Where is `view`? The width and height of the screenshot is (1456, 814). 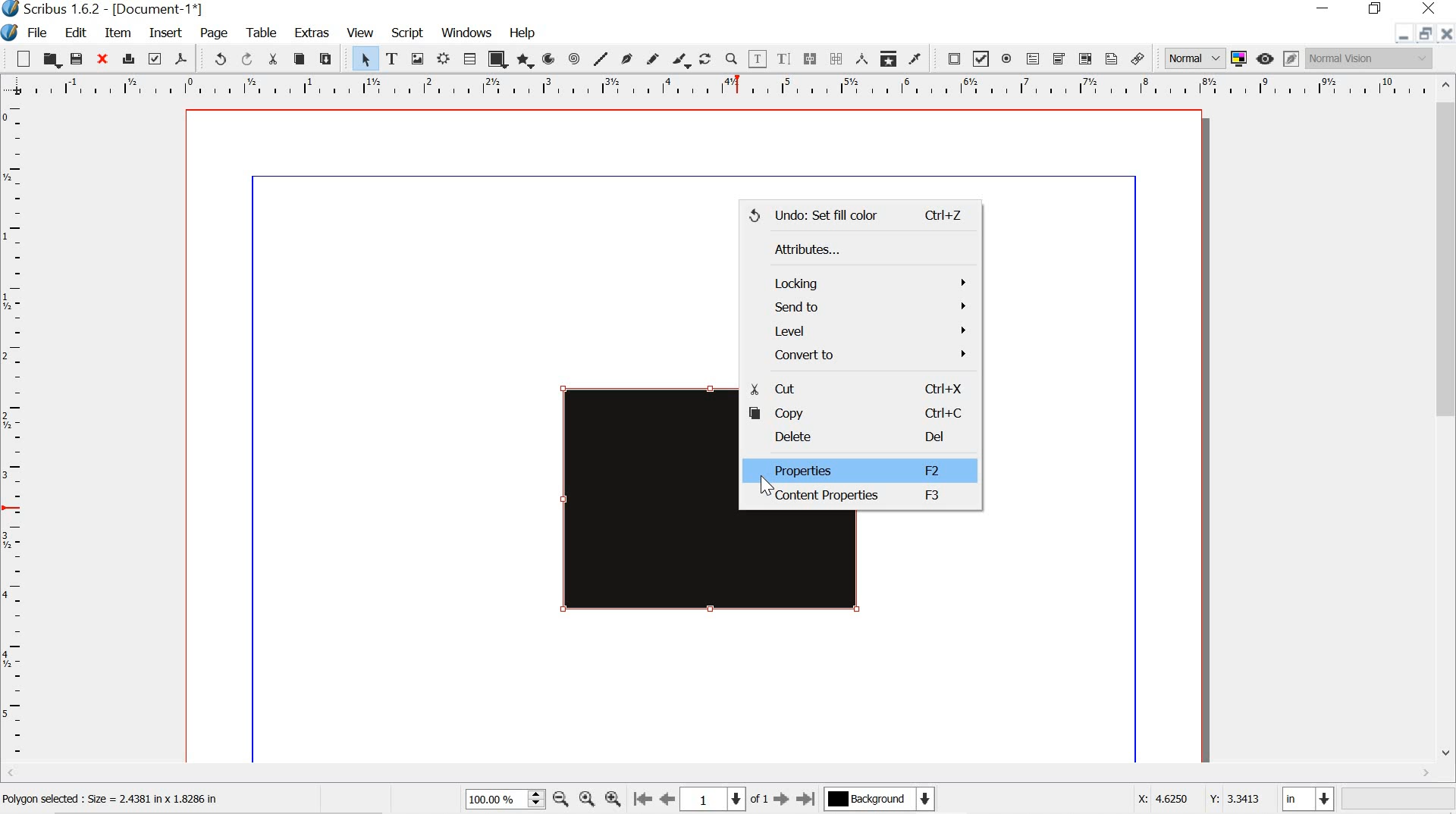 view is located at coordinates (361, 31).